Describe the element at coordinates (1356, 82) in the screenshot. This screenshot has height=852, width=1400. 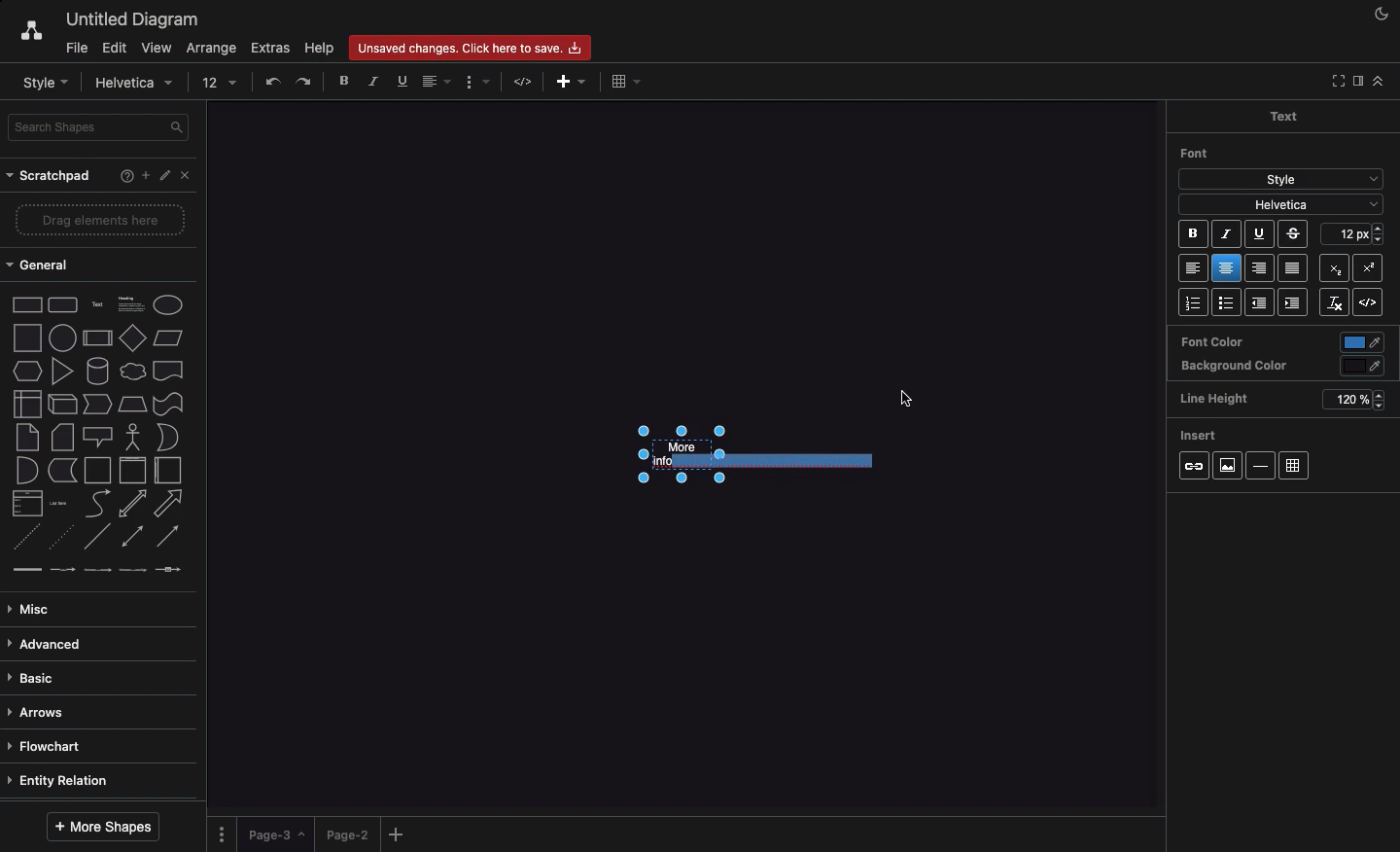
I see `Sidebar` at that location.